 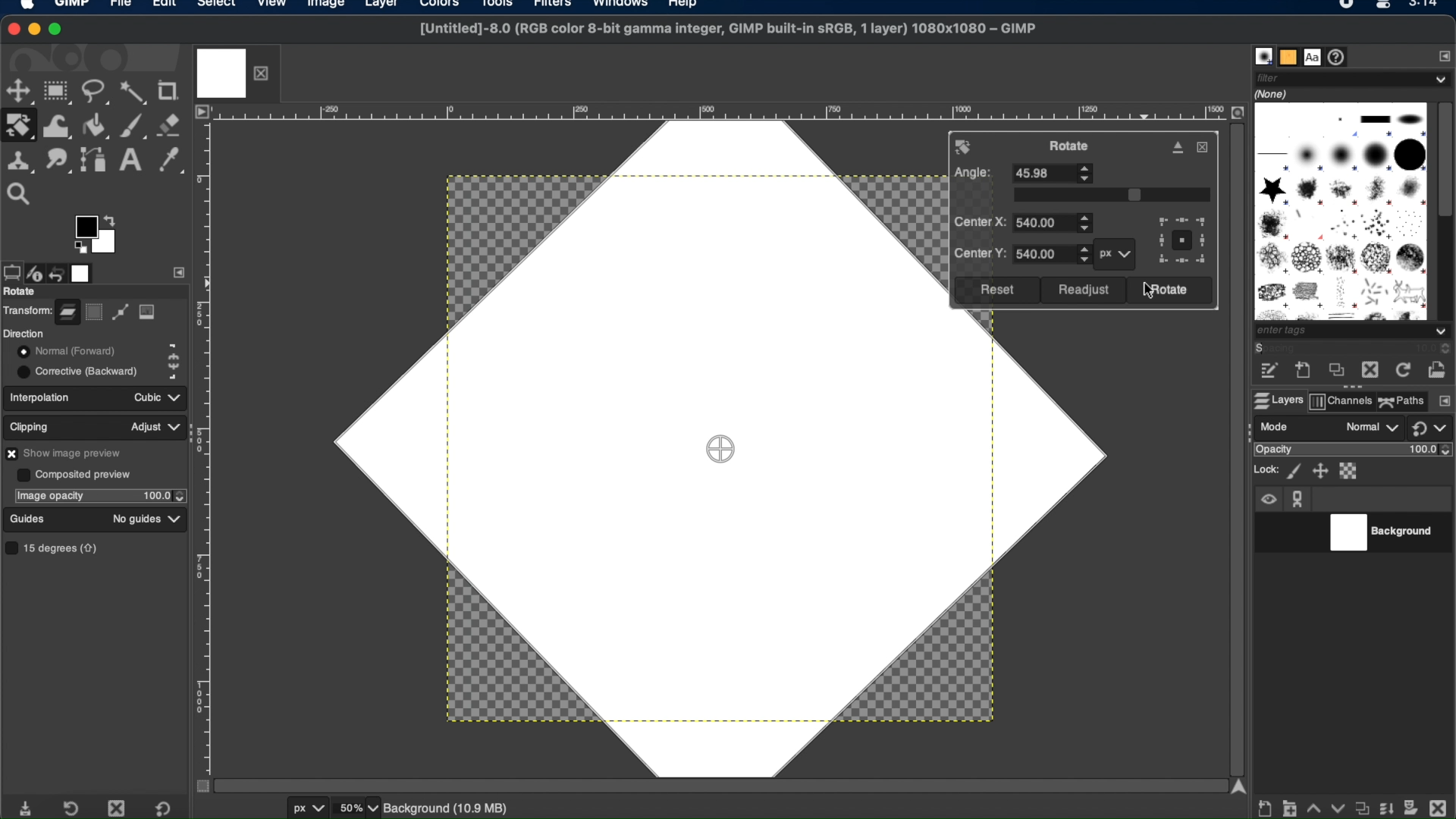 I want to click on create new layer, so click(x=1266, y=809).